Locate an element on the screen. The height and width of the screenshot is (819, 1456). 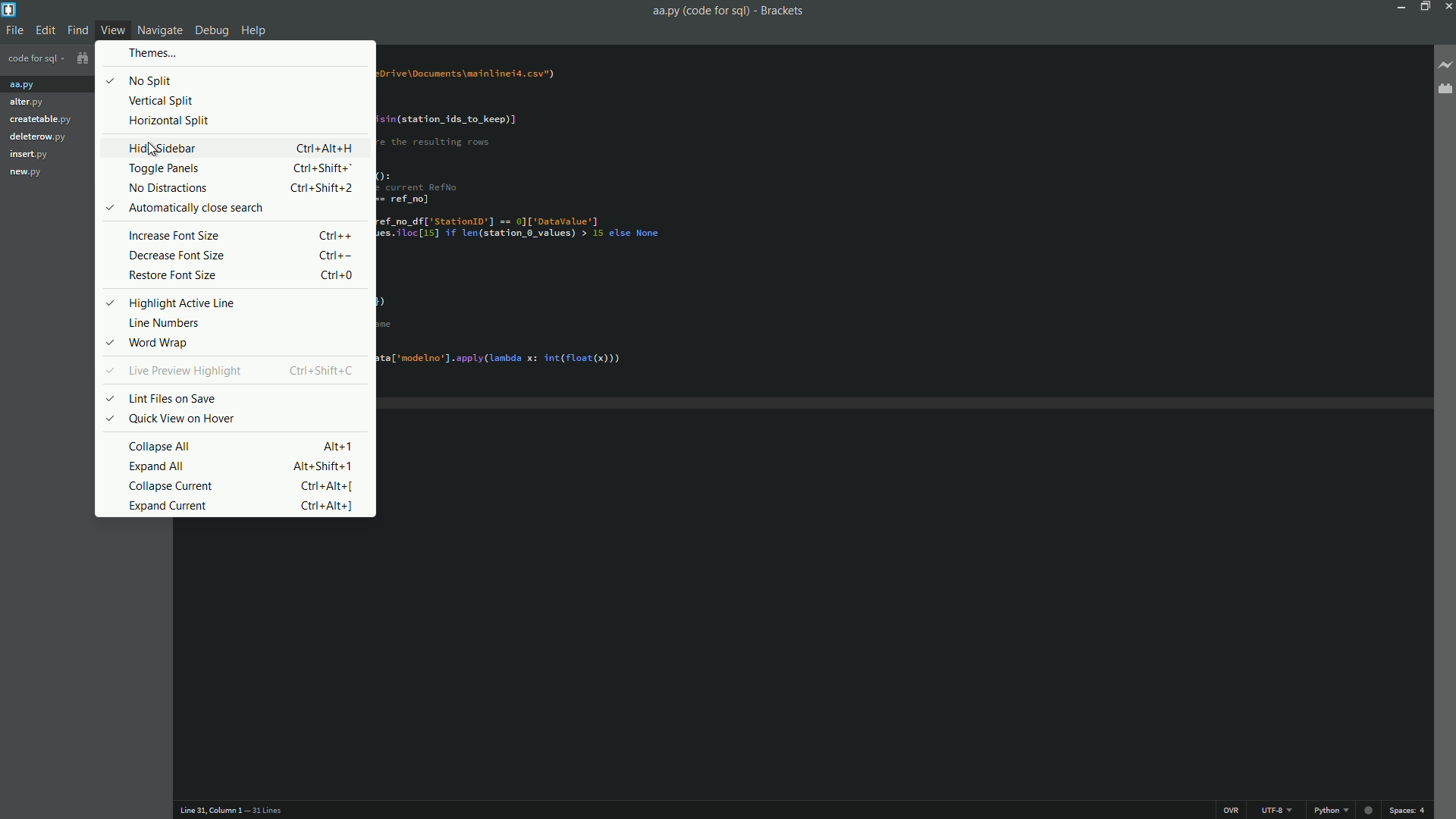
keyboard shortcut is located at coordinates (324, 168).